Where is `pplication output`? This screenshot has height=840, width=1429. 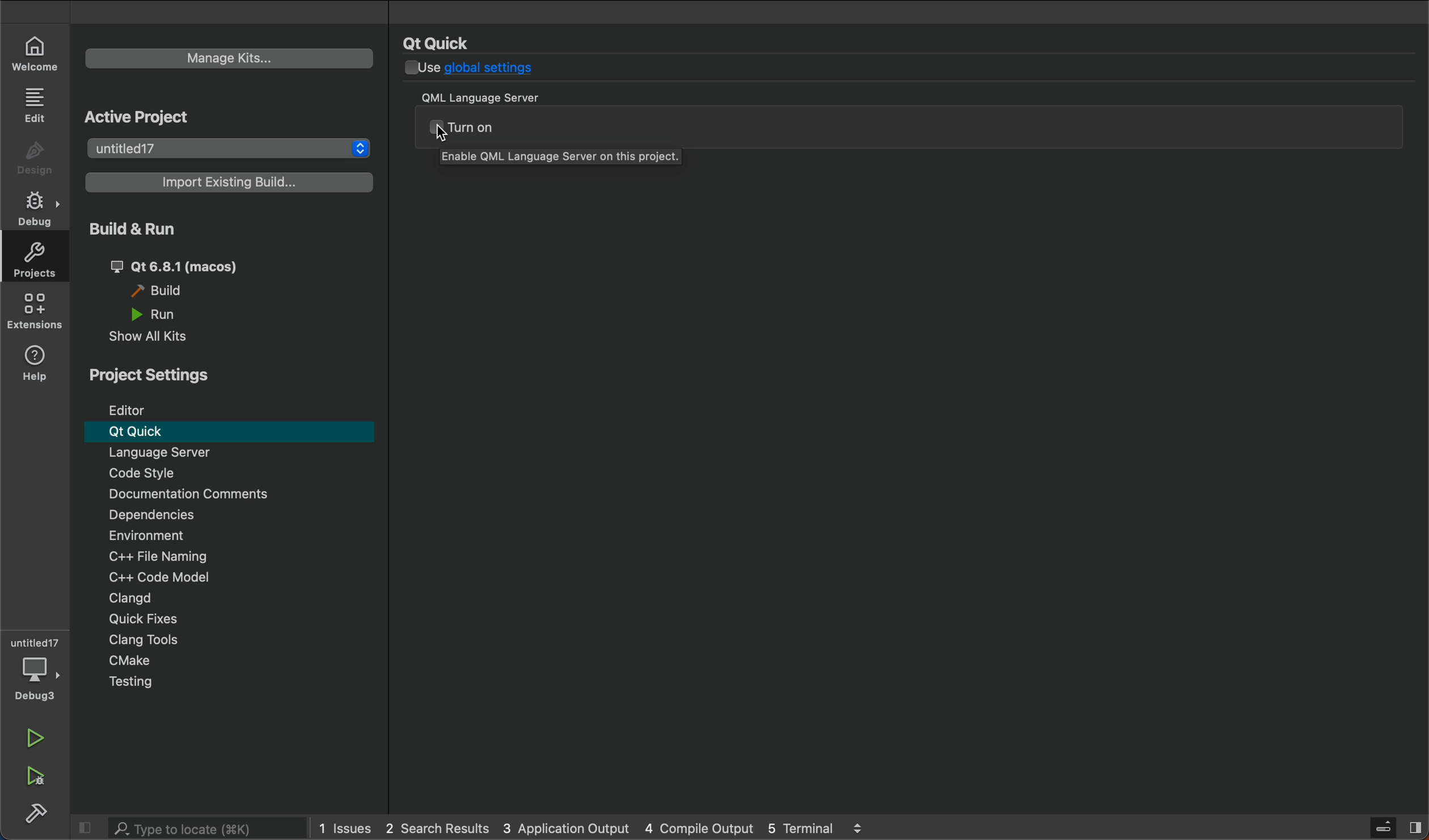
pplication output is located at coordinates (565, 828).